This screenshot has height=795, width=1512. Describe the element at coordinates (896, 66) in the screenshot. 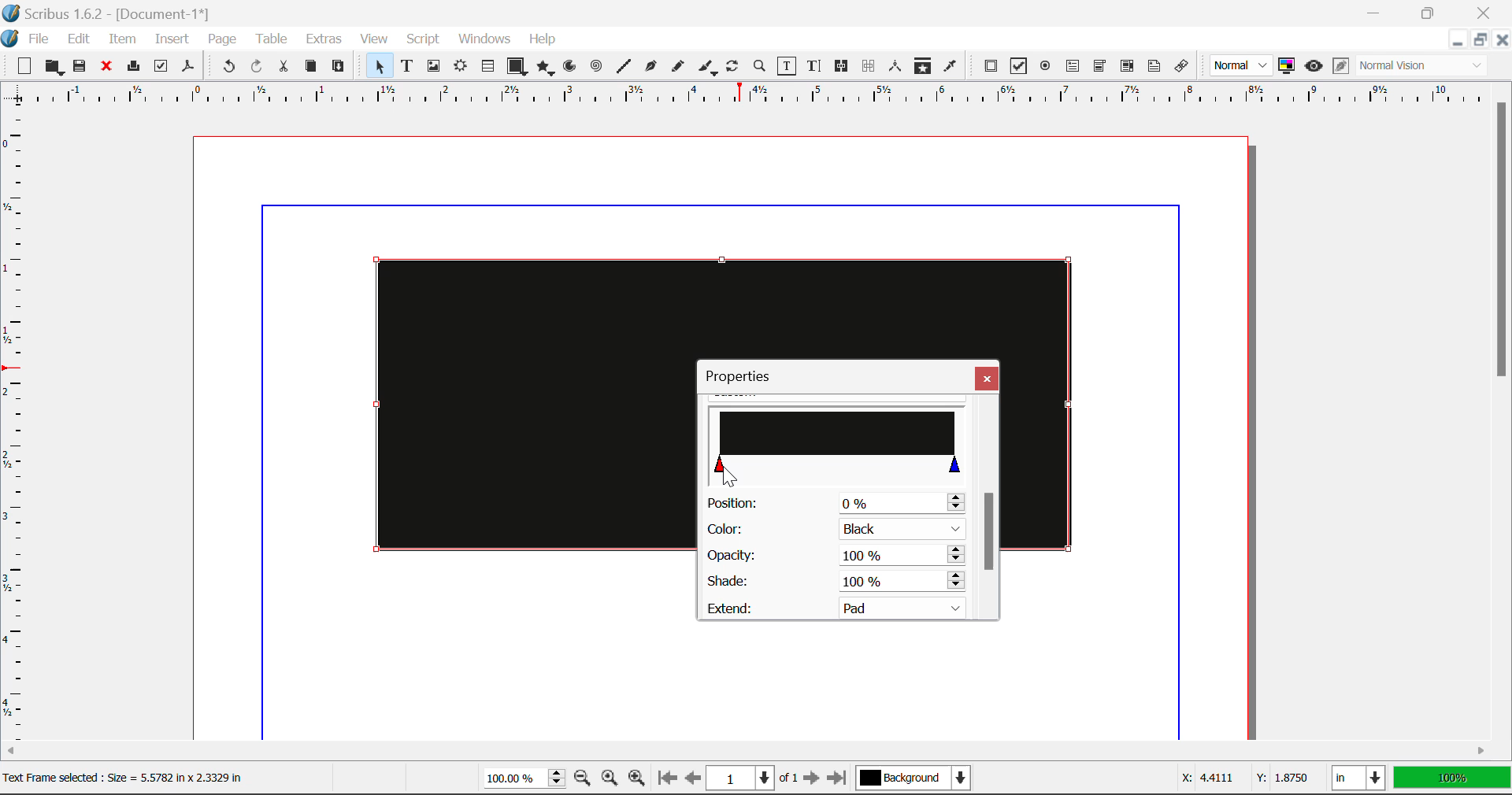

I see `Measurements` at that location.